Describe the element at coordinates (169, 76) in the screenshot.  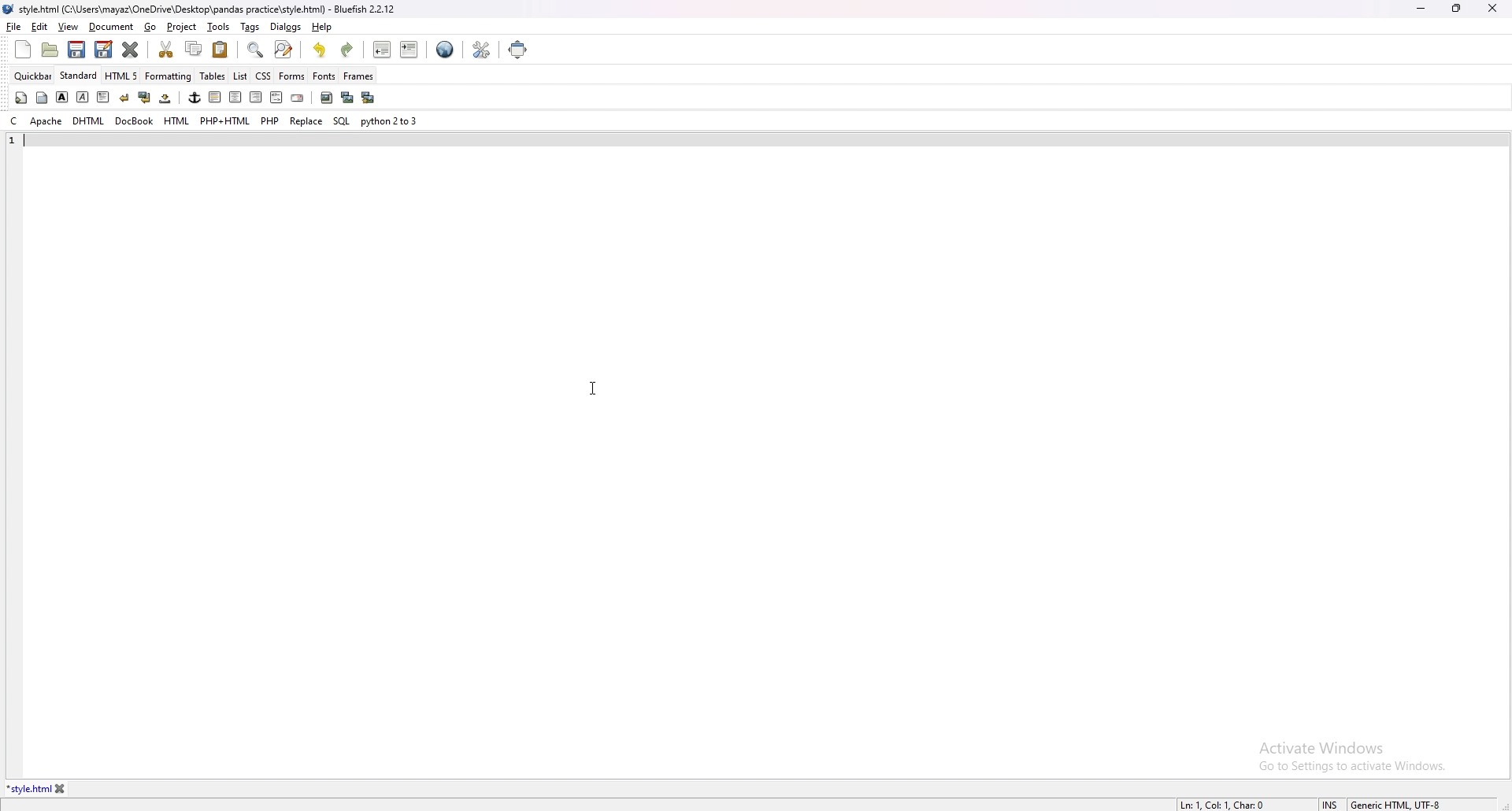
I see `formatting` at that location.